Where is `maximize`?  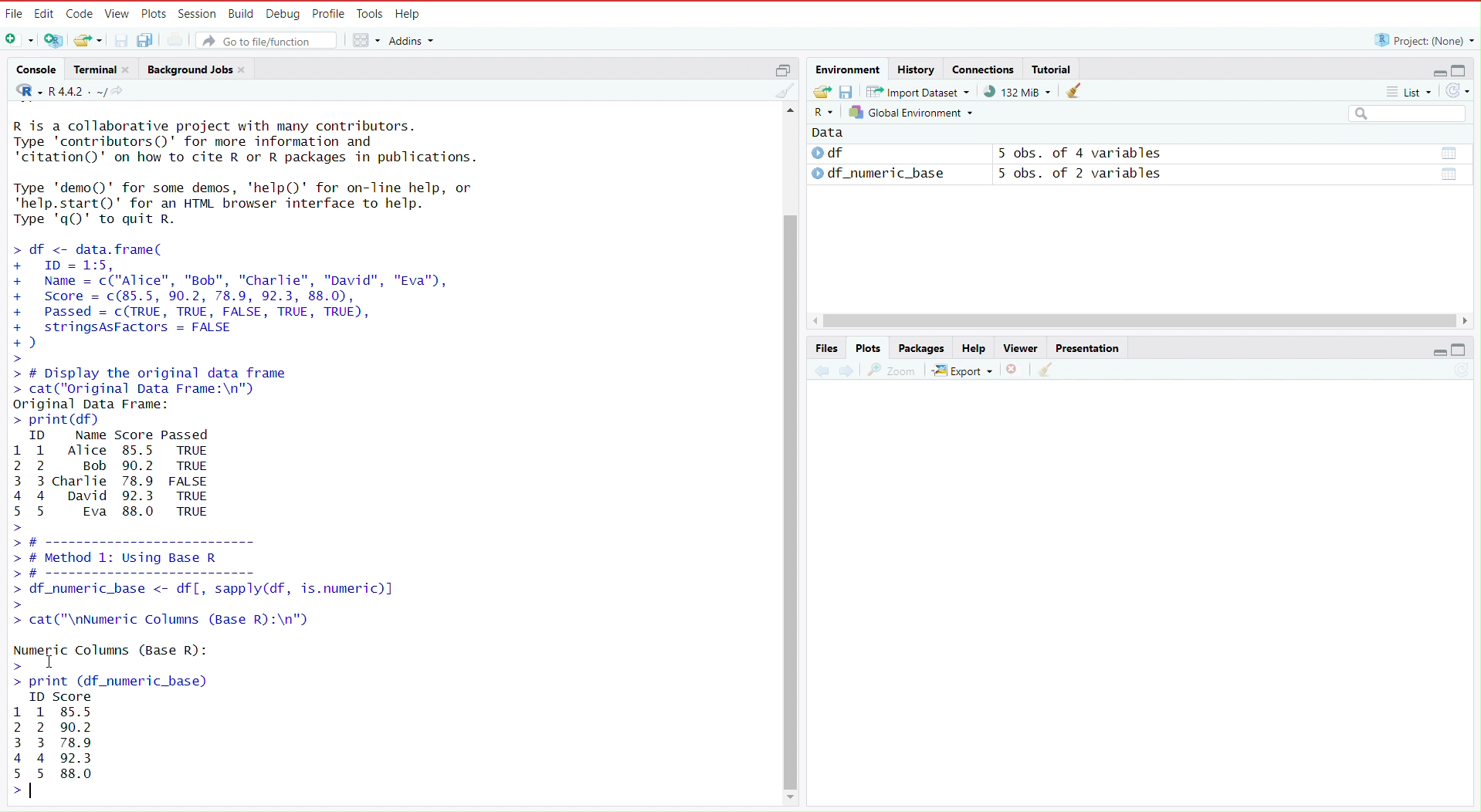 maximize is located at coordinates (1467, 350).